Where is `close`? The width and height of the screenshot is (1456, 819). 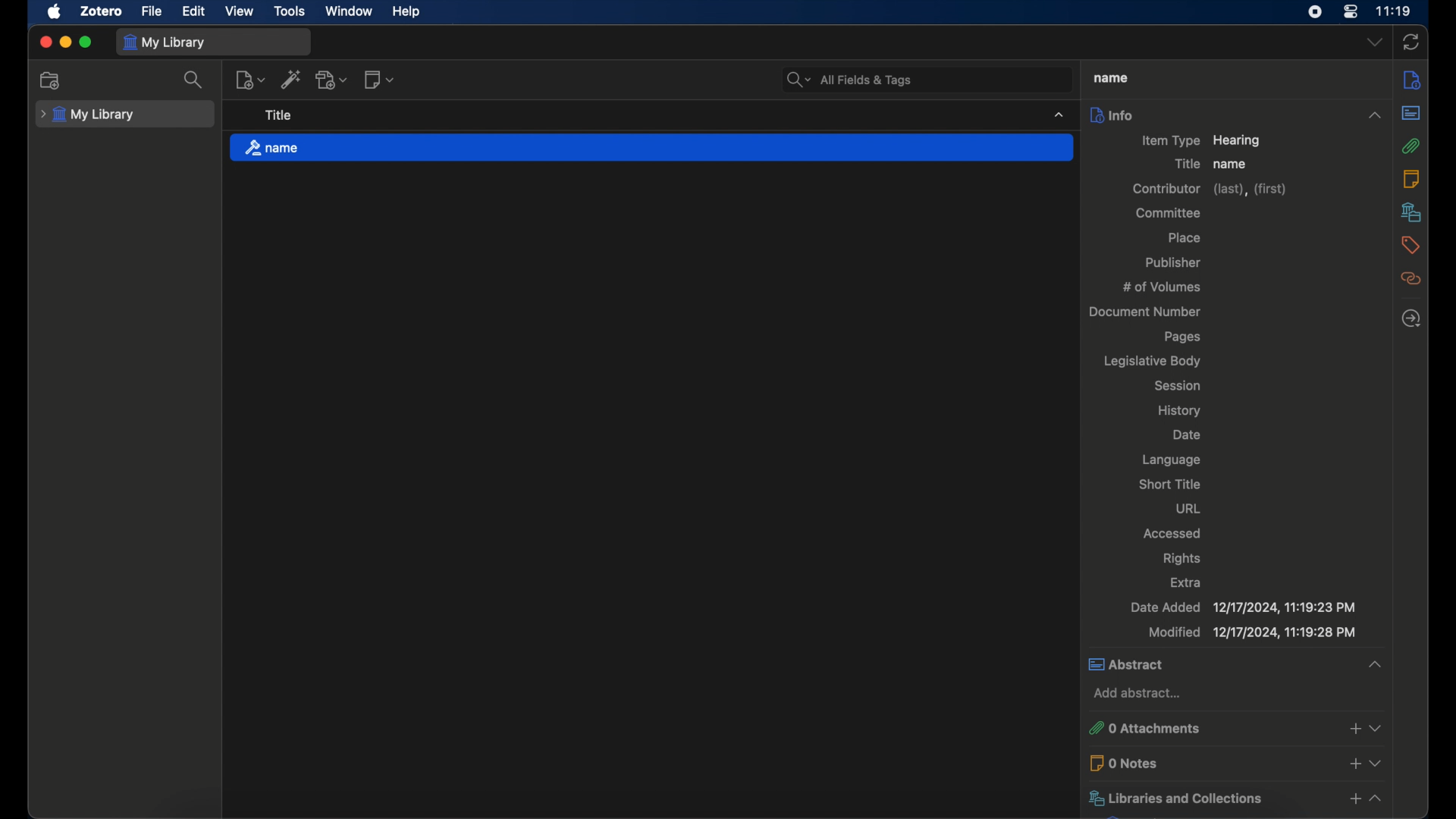
close is located at coordinates (45, 42).